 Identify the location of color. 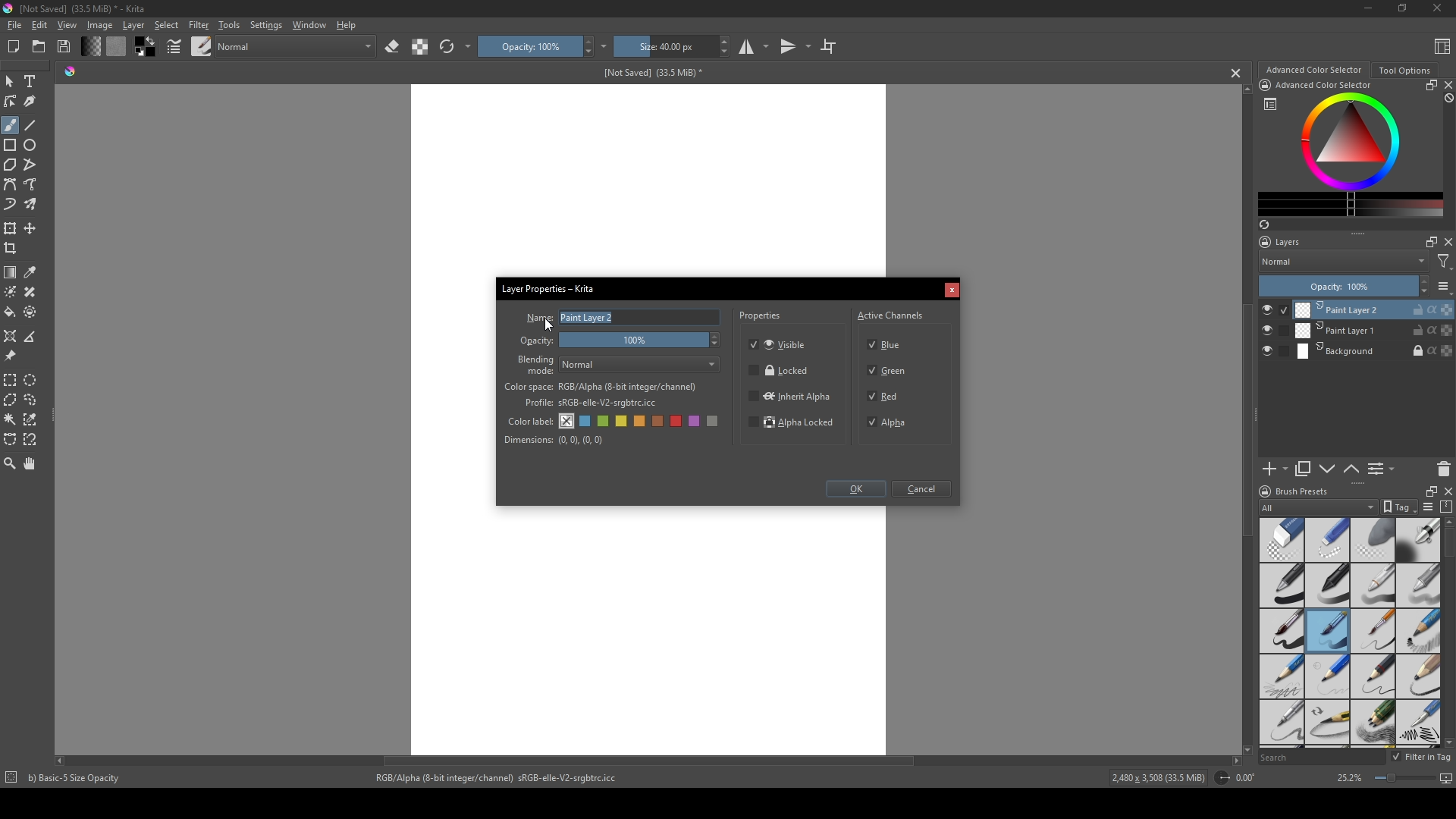
(115, 46).